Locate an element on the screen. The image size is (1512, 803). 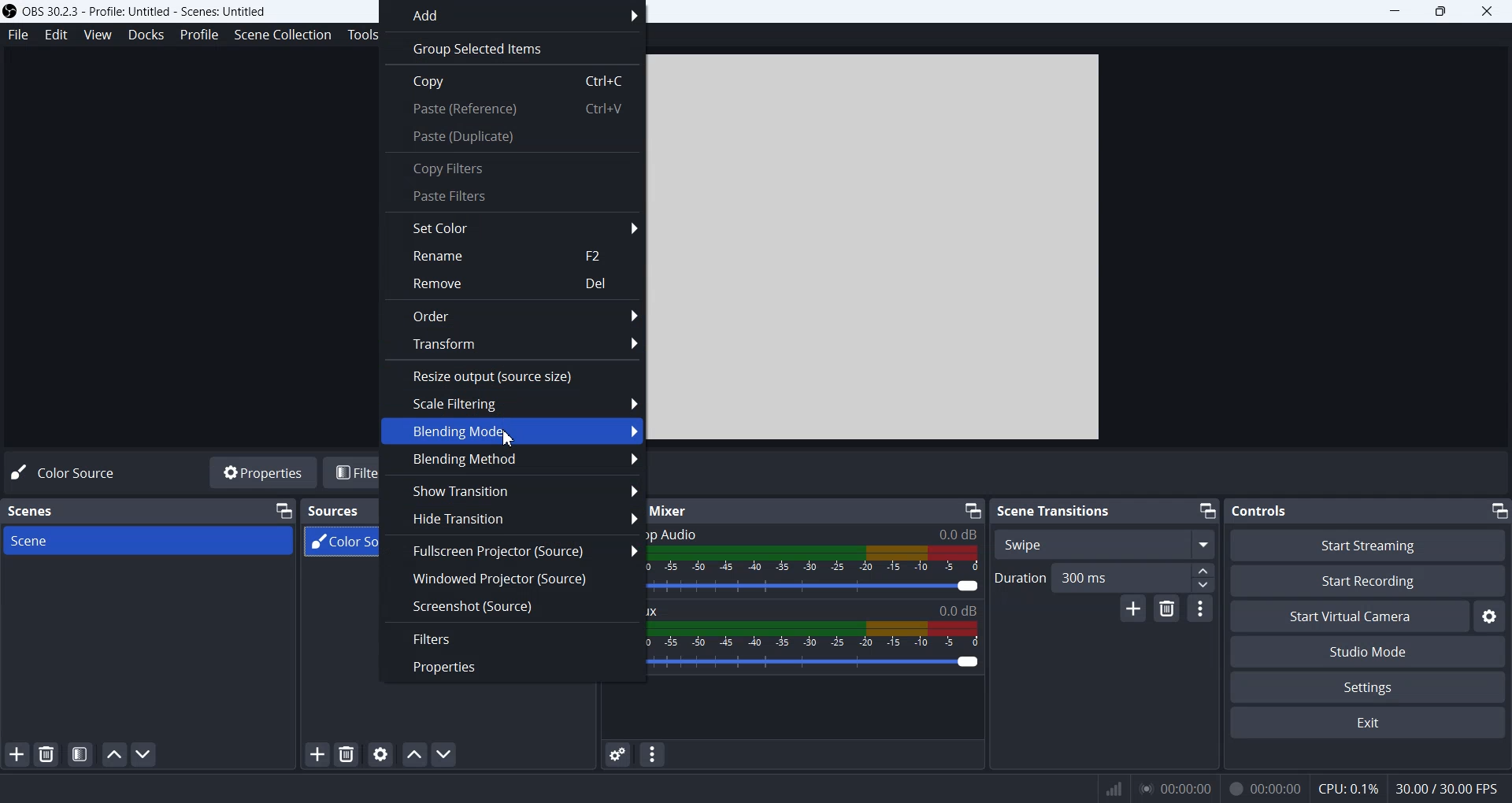
Docks is located at coordinates (146, 34).